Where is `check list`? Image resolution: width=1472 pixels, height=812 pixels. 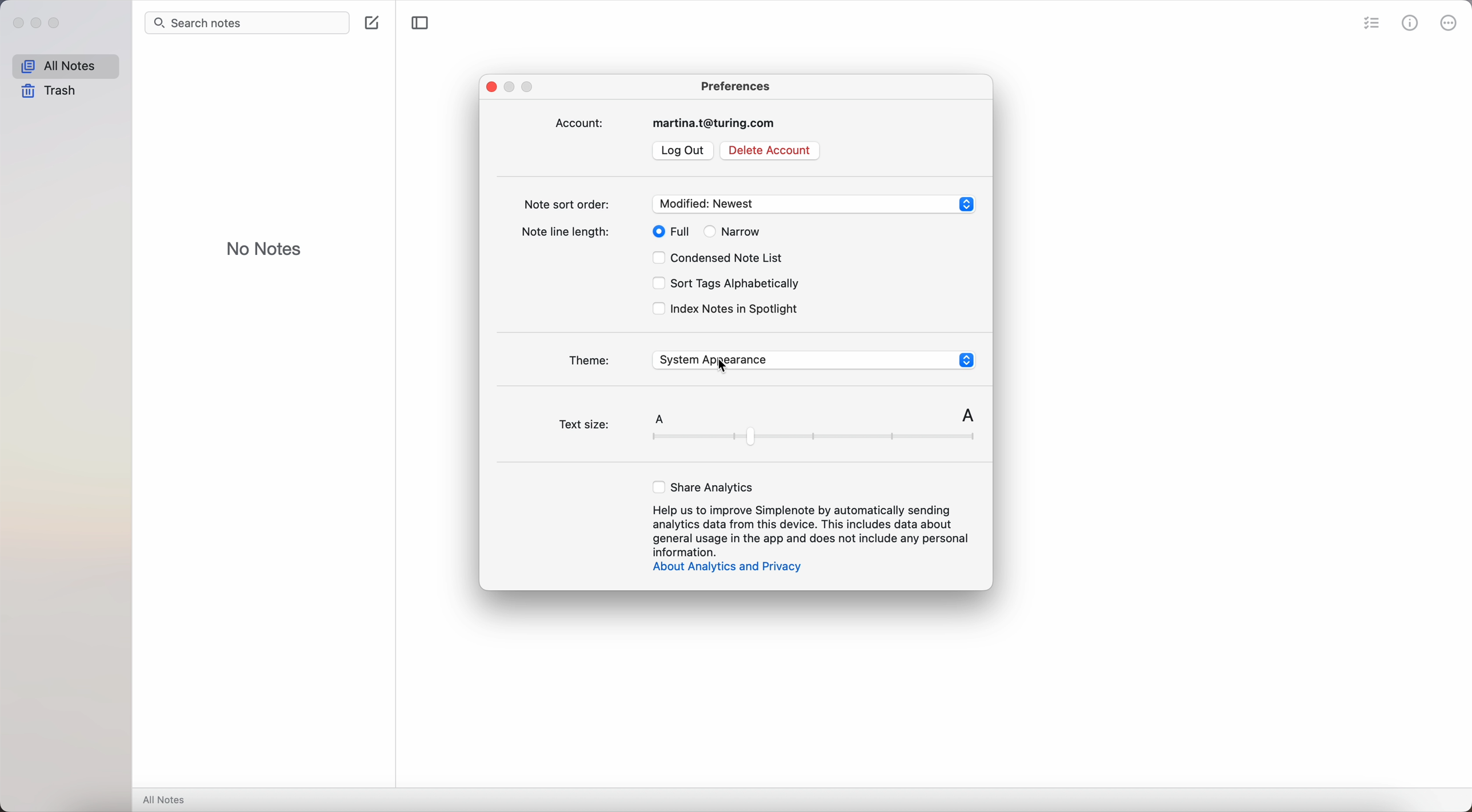
check list is located at coordinates (1370, 24).